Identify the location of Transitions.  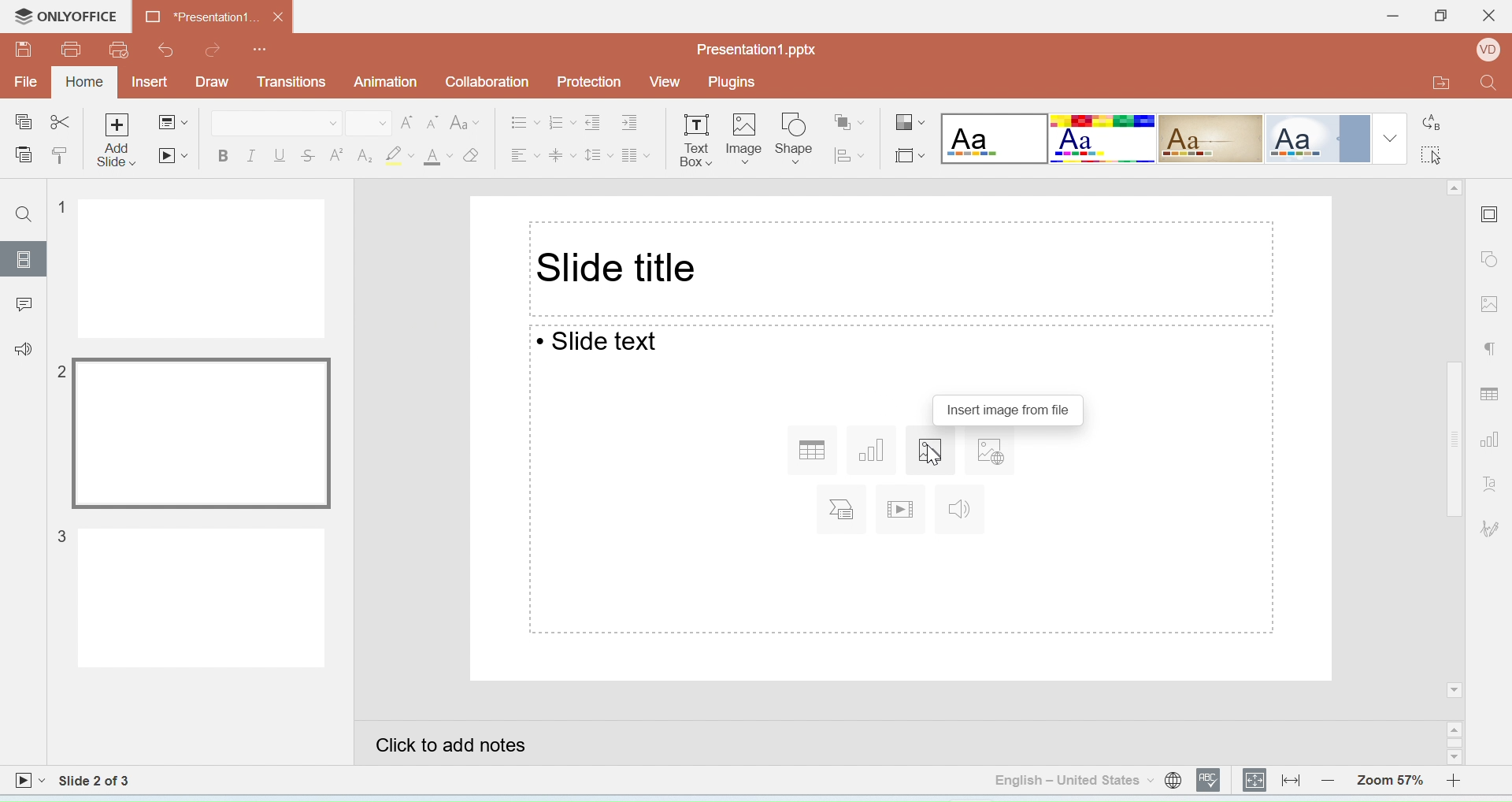
(291, 82).